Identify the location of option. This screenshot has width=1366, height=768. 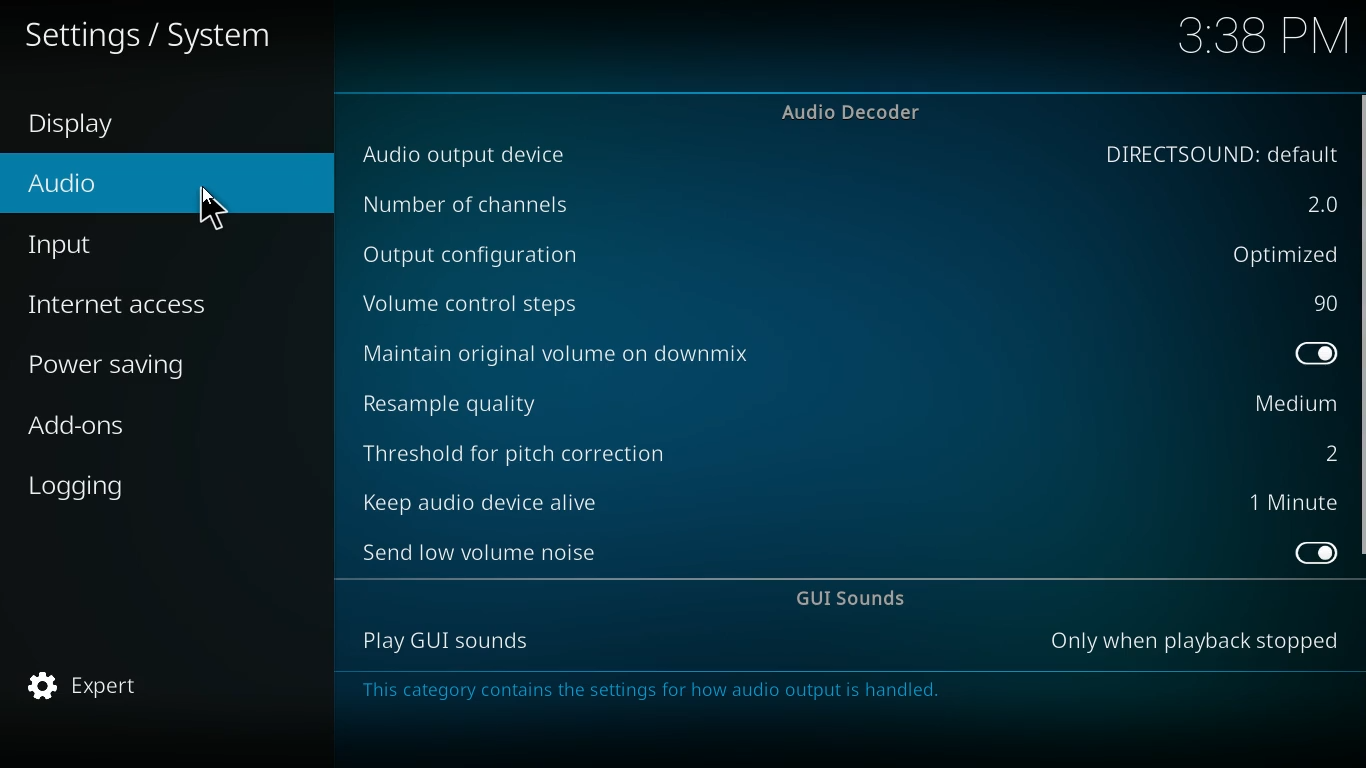
(1323, 356).